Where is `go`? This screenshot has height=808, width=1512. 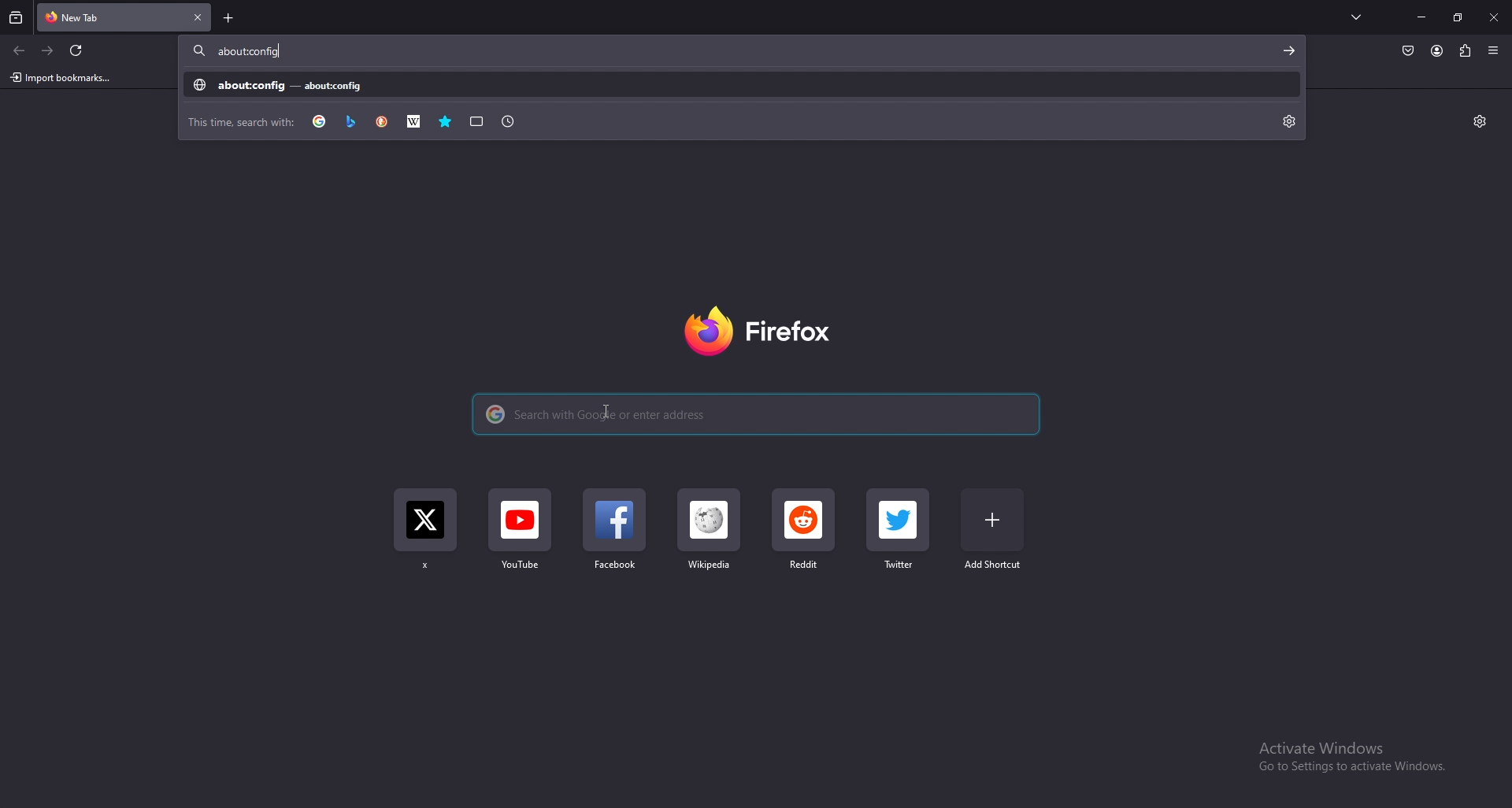 go is located at coordinates (1289, 51).